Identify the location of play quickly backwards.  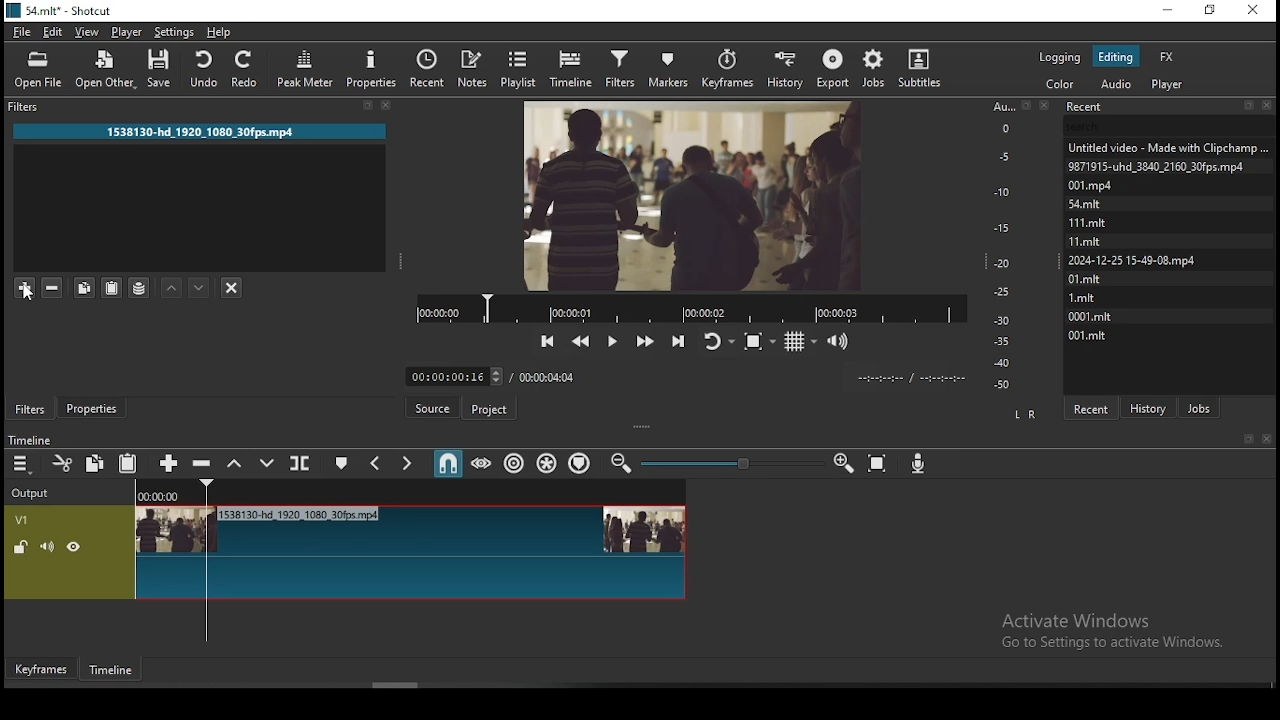
(581, 341).